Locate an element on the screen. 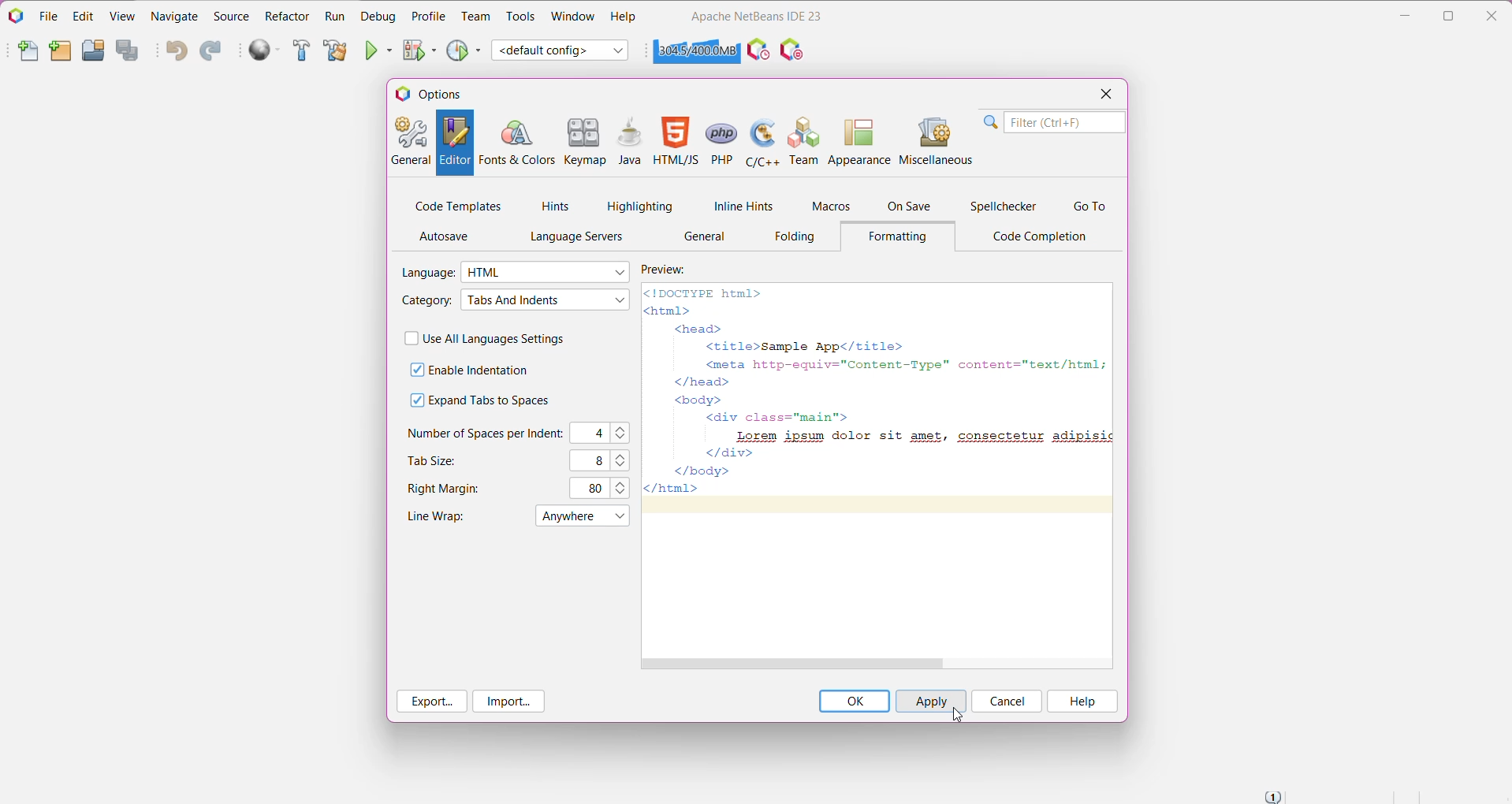 This screenshot has height=804, width=1512. <title>Sample App</title> is located at coordinates (802, 345).